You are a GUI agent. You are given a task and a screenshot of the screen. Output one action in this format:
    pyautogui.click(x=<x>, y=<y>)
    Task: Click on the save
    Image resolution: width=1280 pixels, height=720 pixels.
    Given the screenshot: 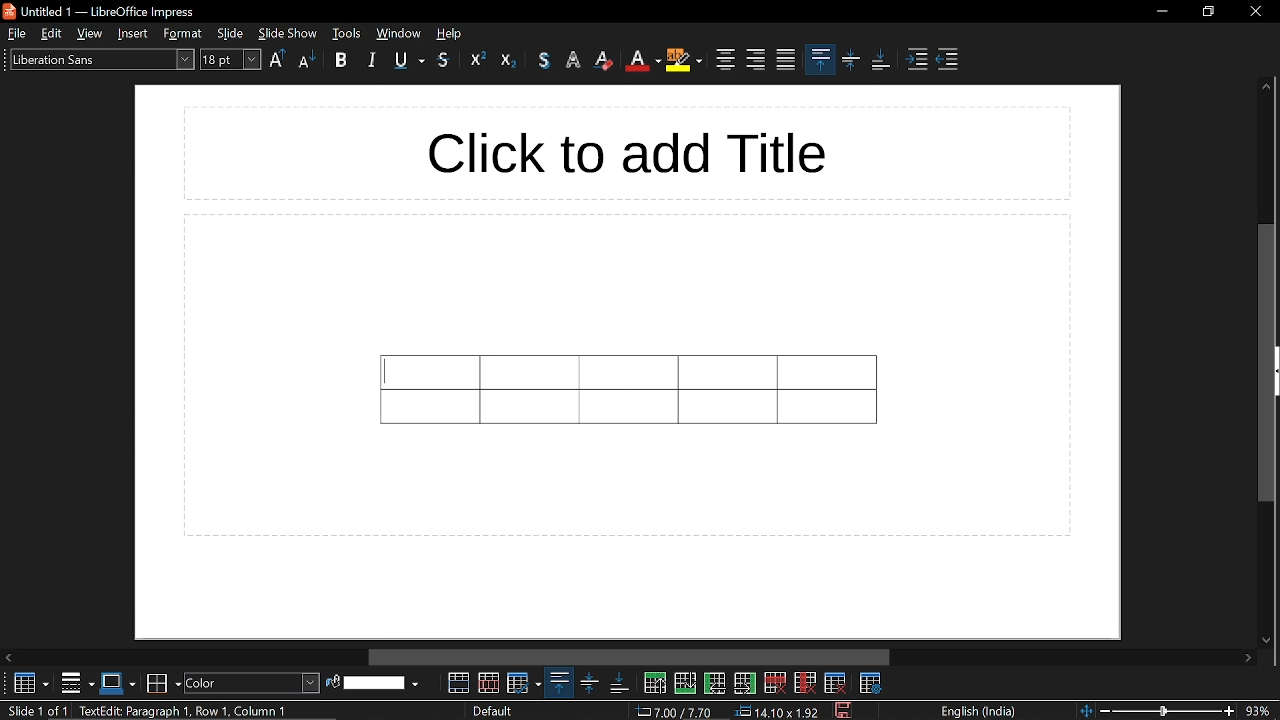 What is the action you would take?
    pyautogui.click(x=842, y=711)
    